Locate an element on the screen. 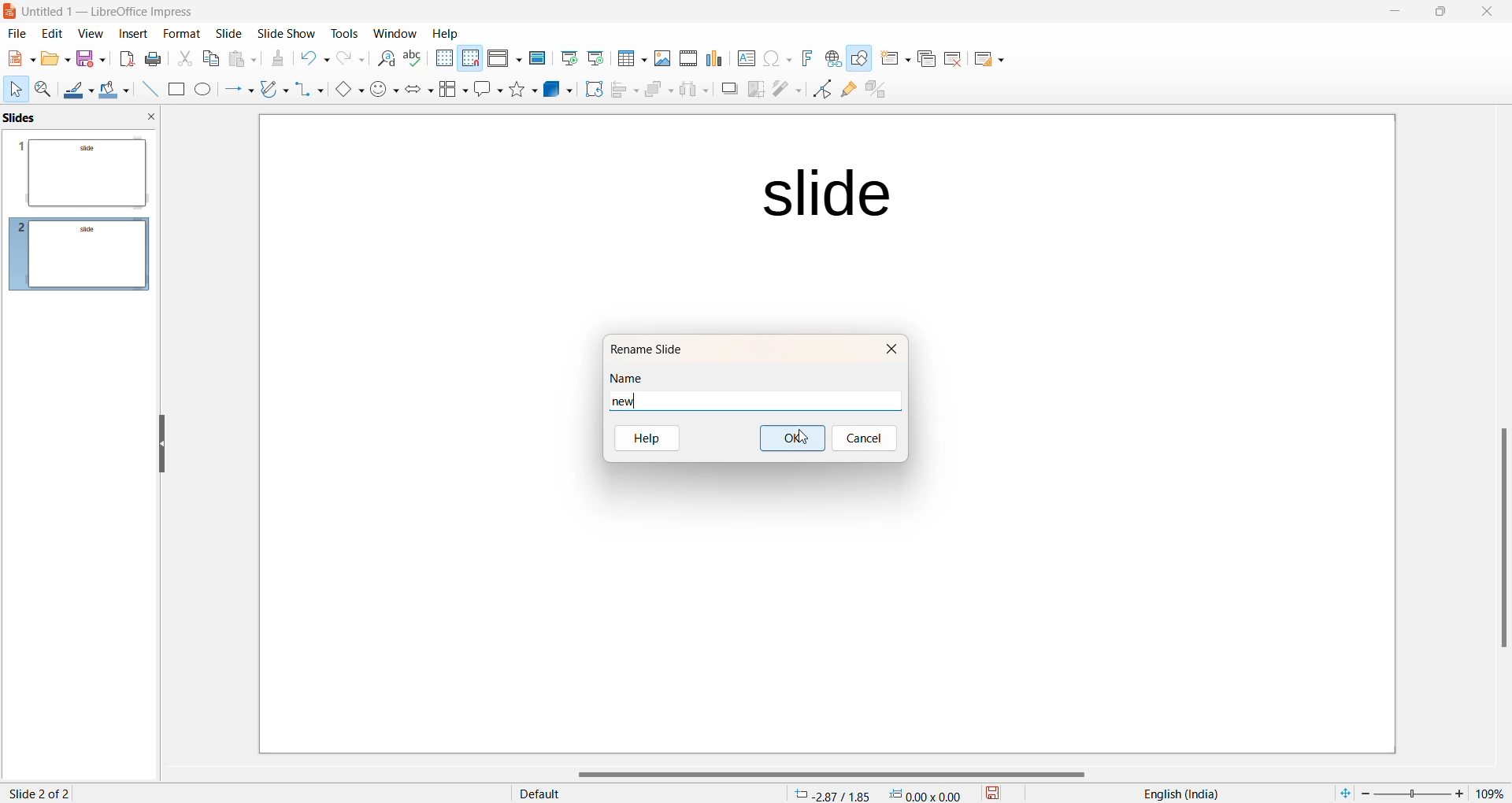 Image resolution: width=1512 pixels, height=803 pixels. hide left sidebar is located at coordinates (163, 442).